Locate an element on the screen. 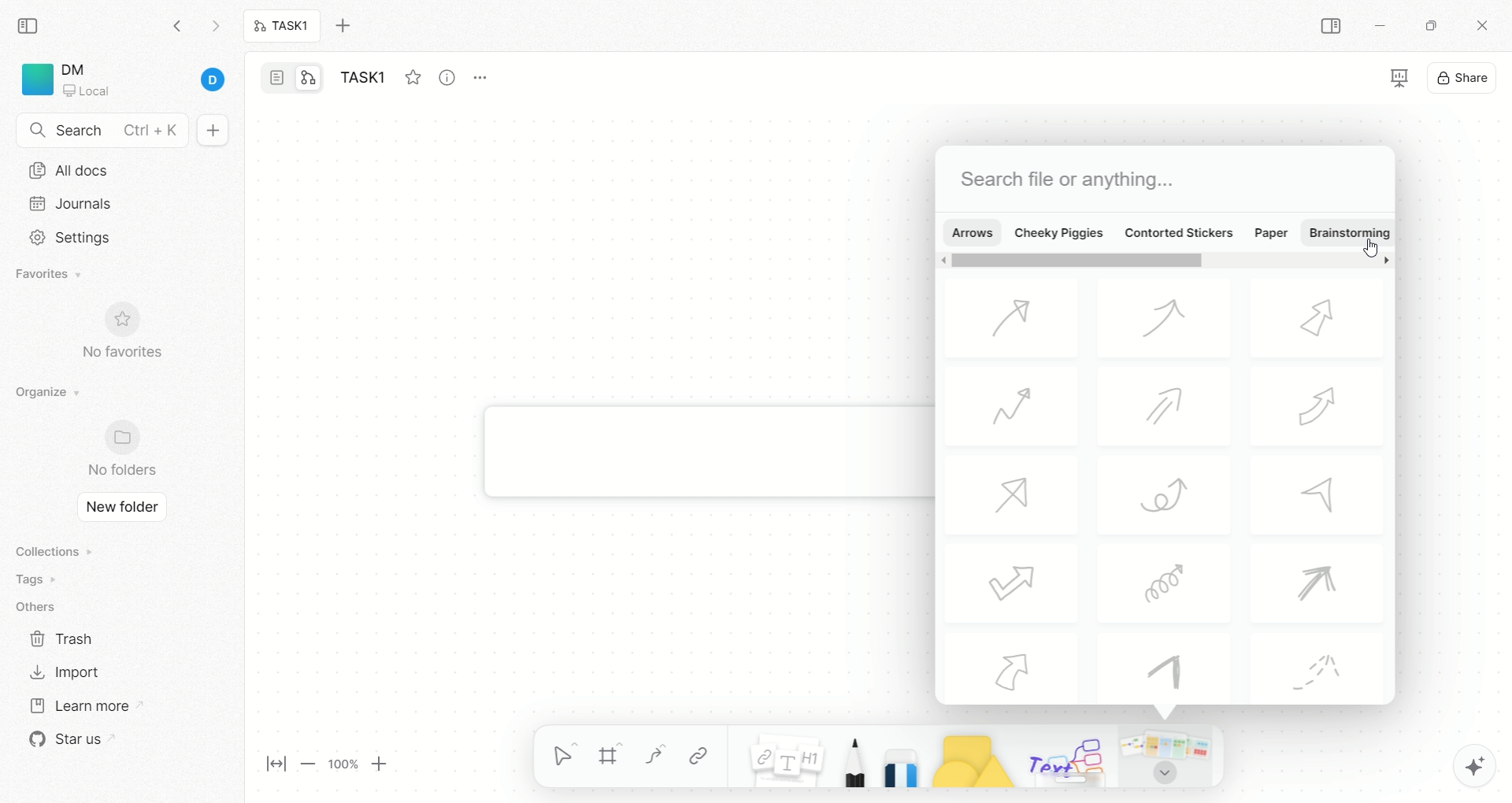 The height and width of the screenshot is (803, 1512). new tab is located at coordinates (352, 26).